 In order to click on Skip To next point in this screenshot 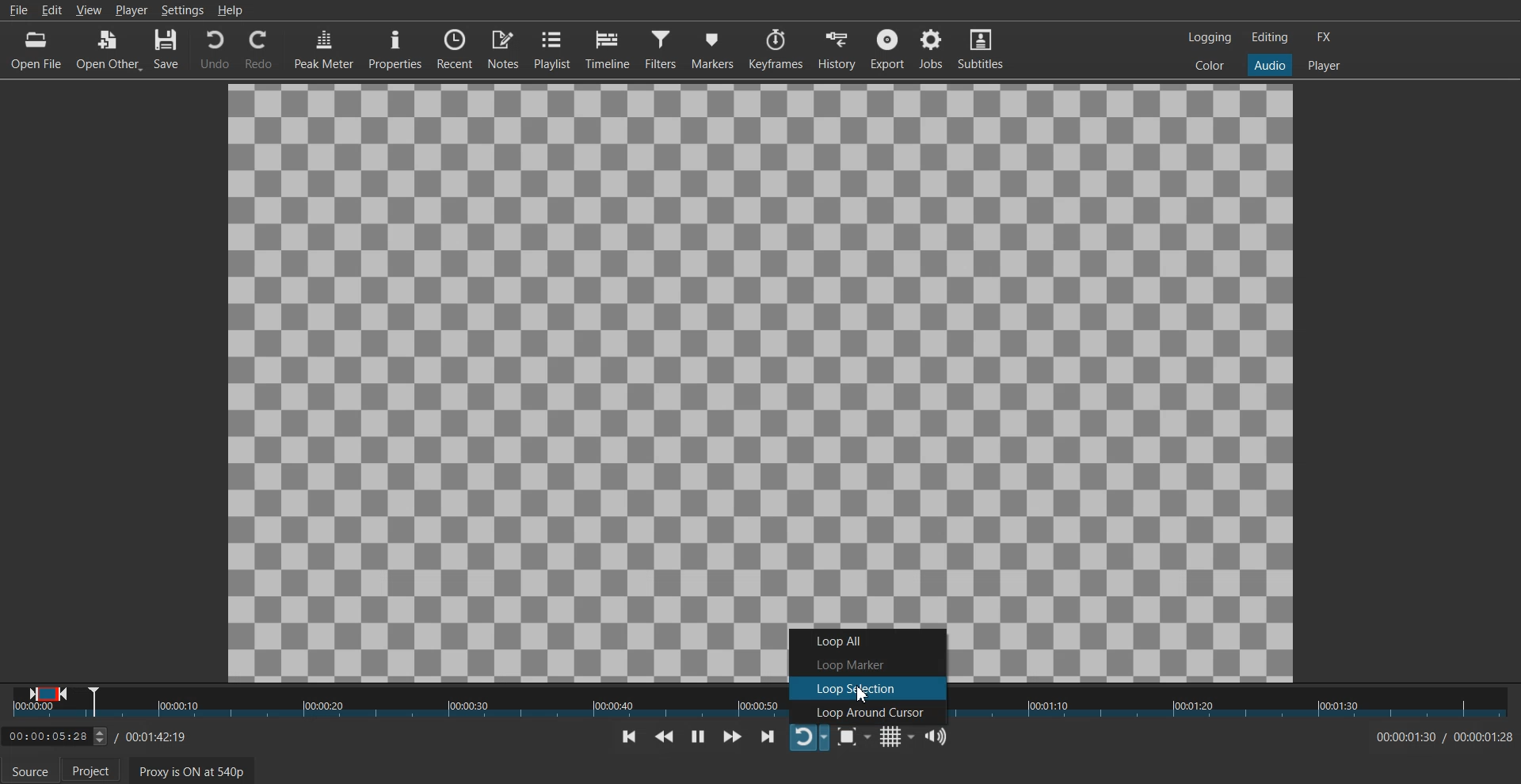, I will do `click(768, 736)`.